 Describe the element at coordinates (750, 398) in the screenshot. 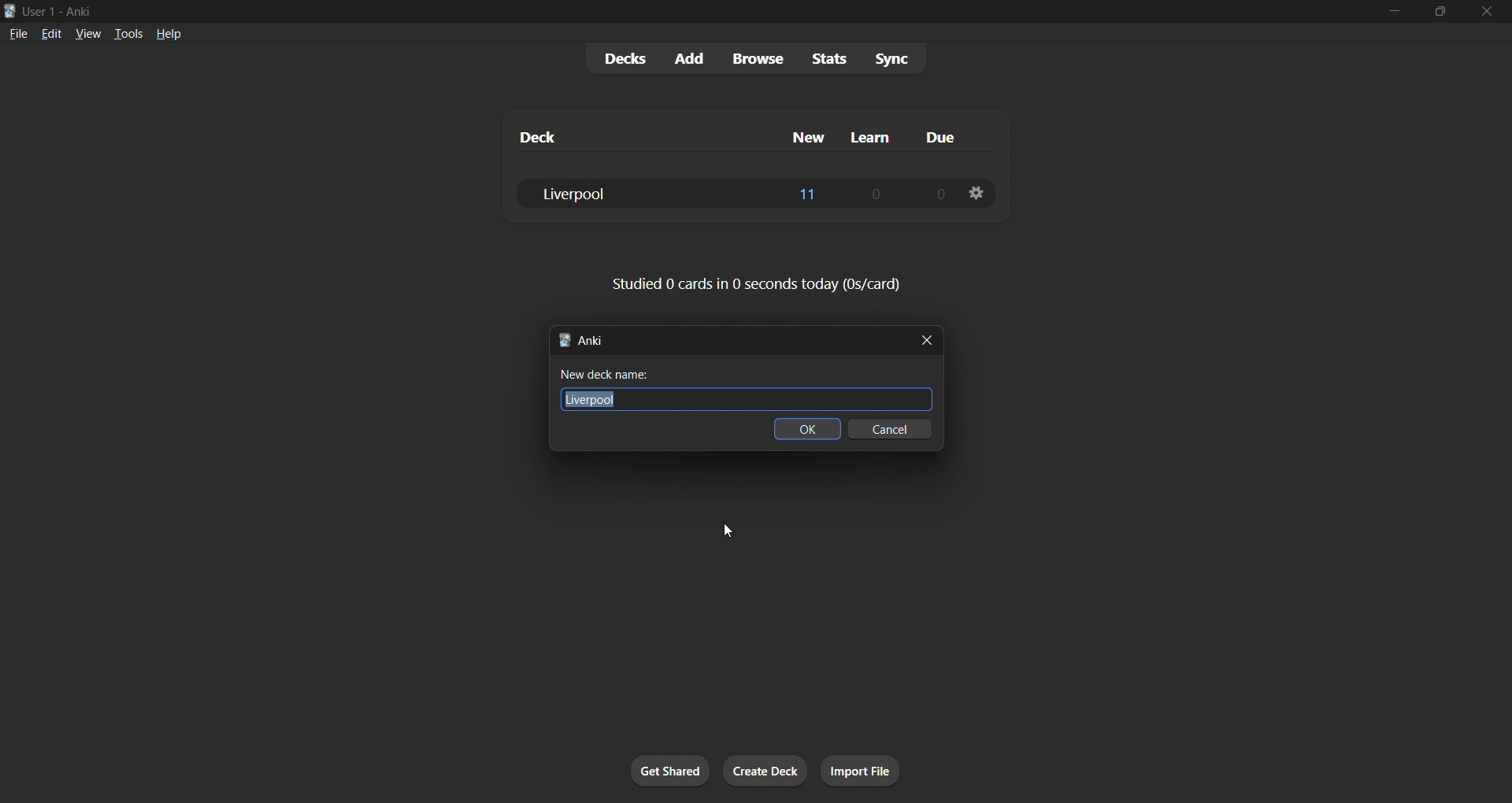

I see `Liverpool` at that location.